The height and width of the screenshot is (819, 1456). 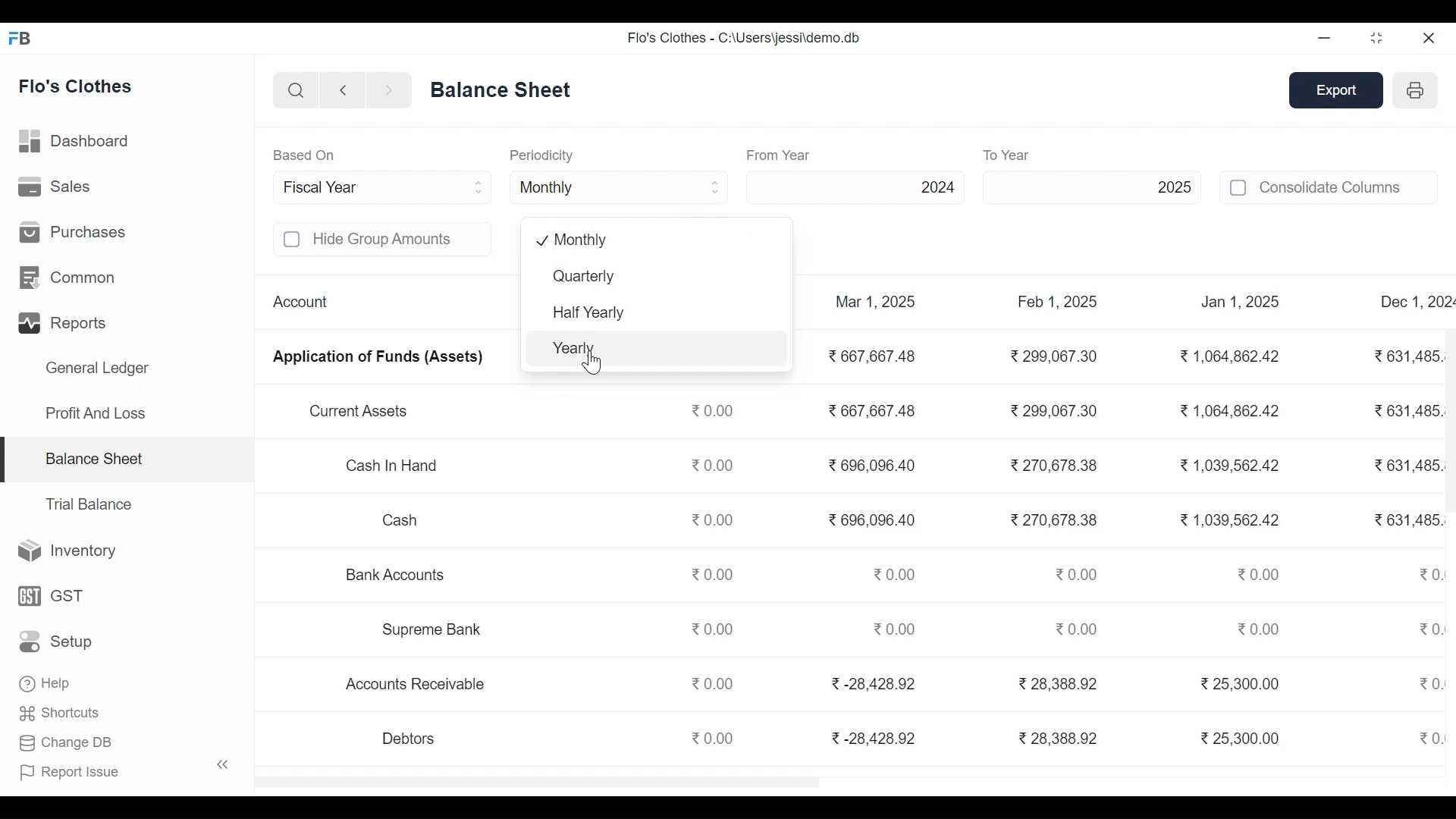 I want to click on Bank Accounts %0.00 %0.00 20.00 20.00, so click(x=813, y=572).